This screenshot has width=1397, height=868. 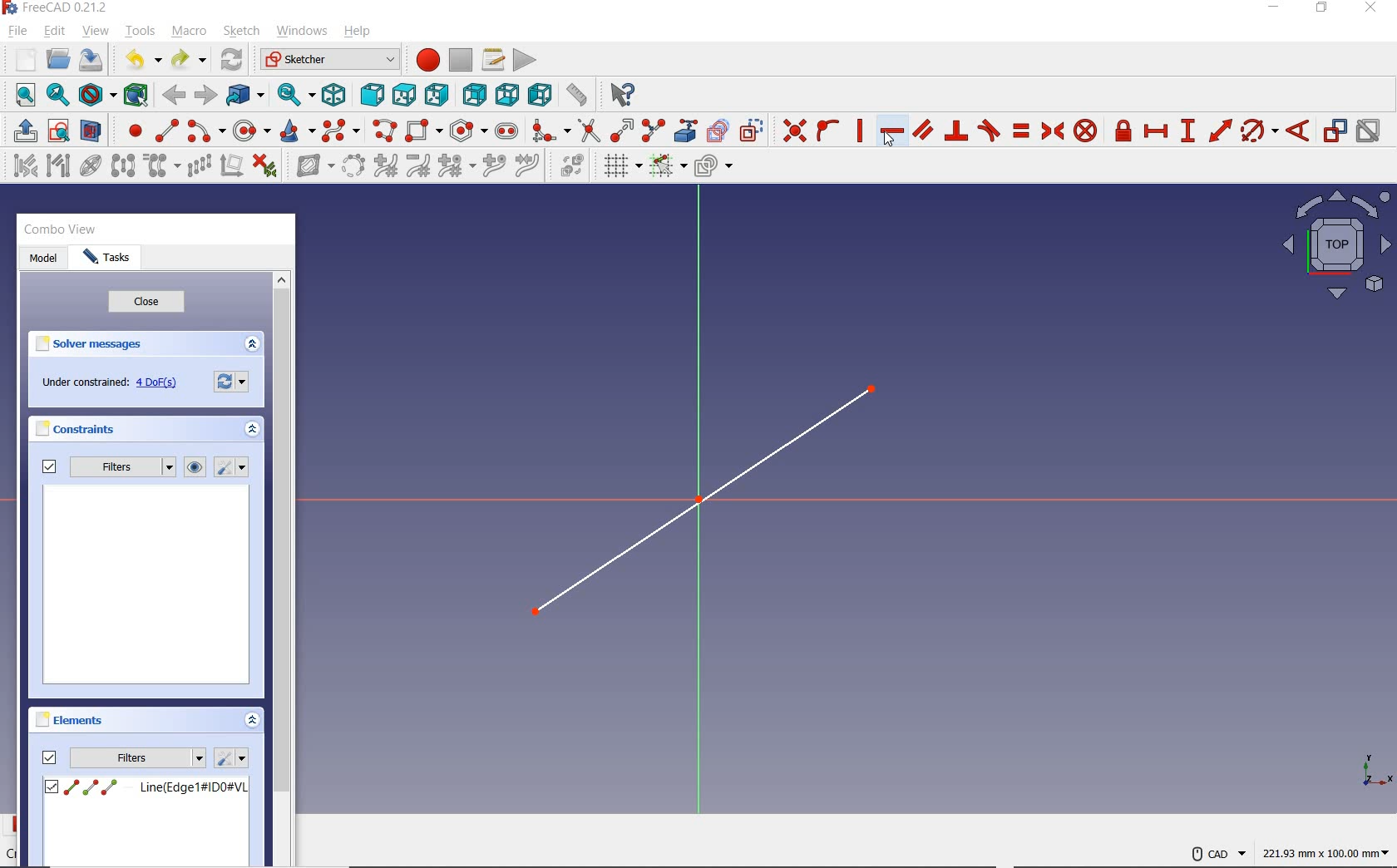 What do you see at coordinates (688, 129) in the screenshot?
I see `CREATE EXTERNAL GEOMETRY` at bounding box center [688, 129].